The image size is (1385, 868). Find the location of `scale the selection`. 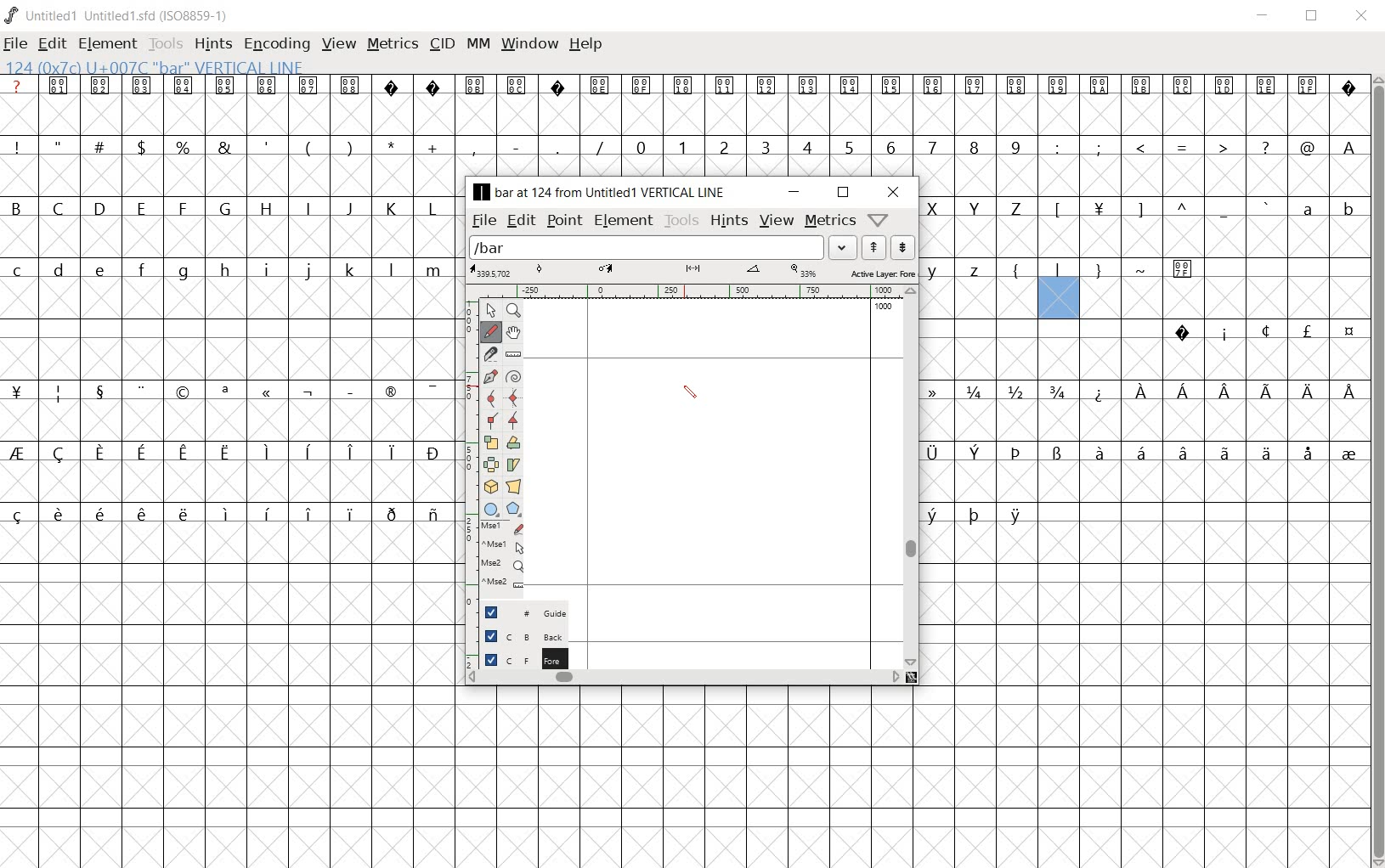

scale the selection is located at coordinates (489, 441).